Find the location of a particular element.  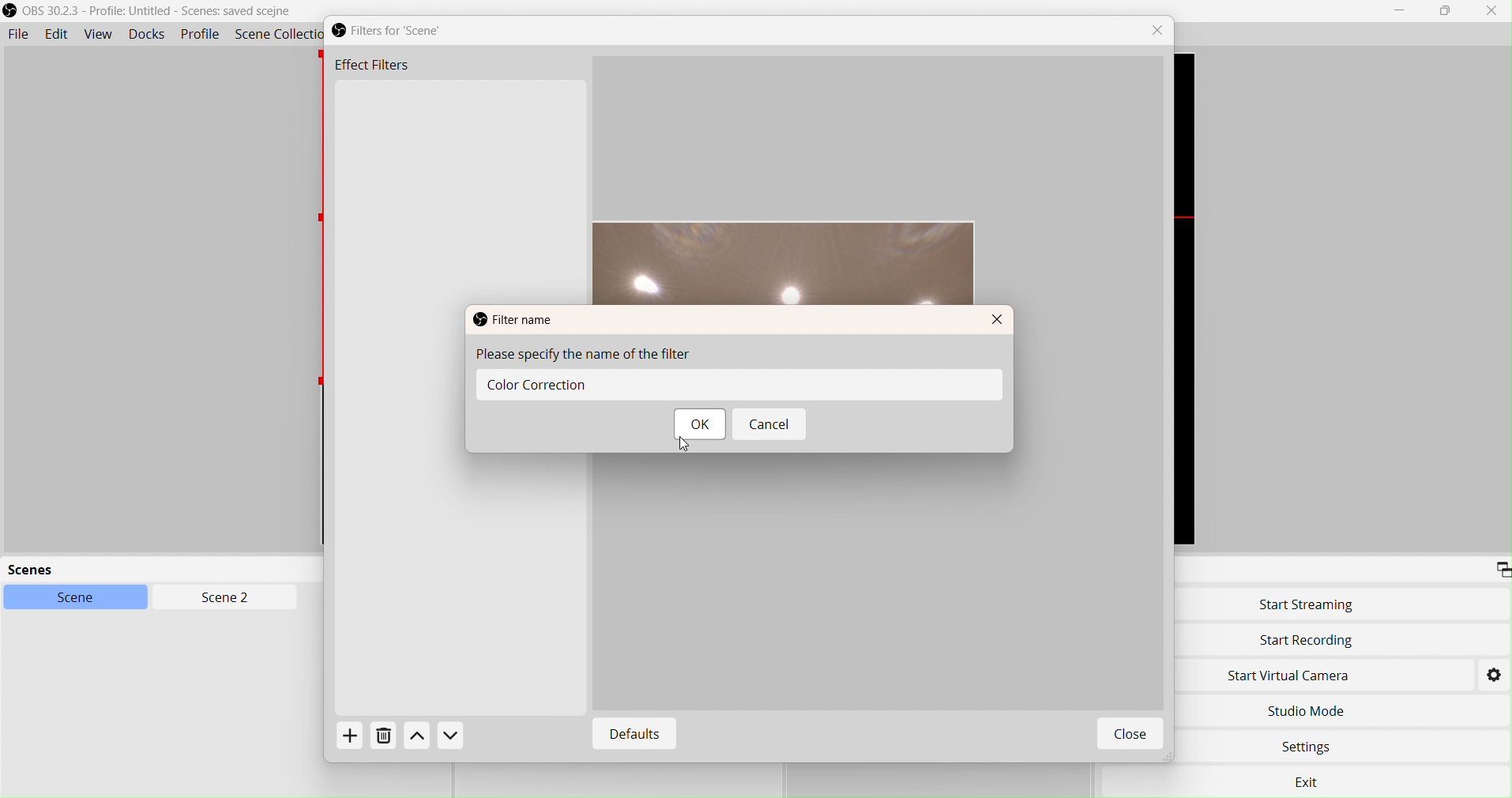

Settings is located at coordinates (1310, 749).